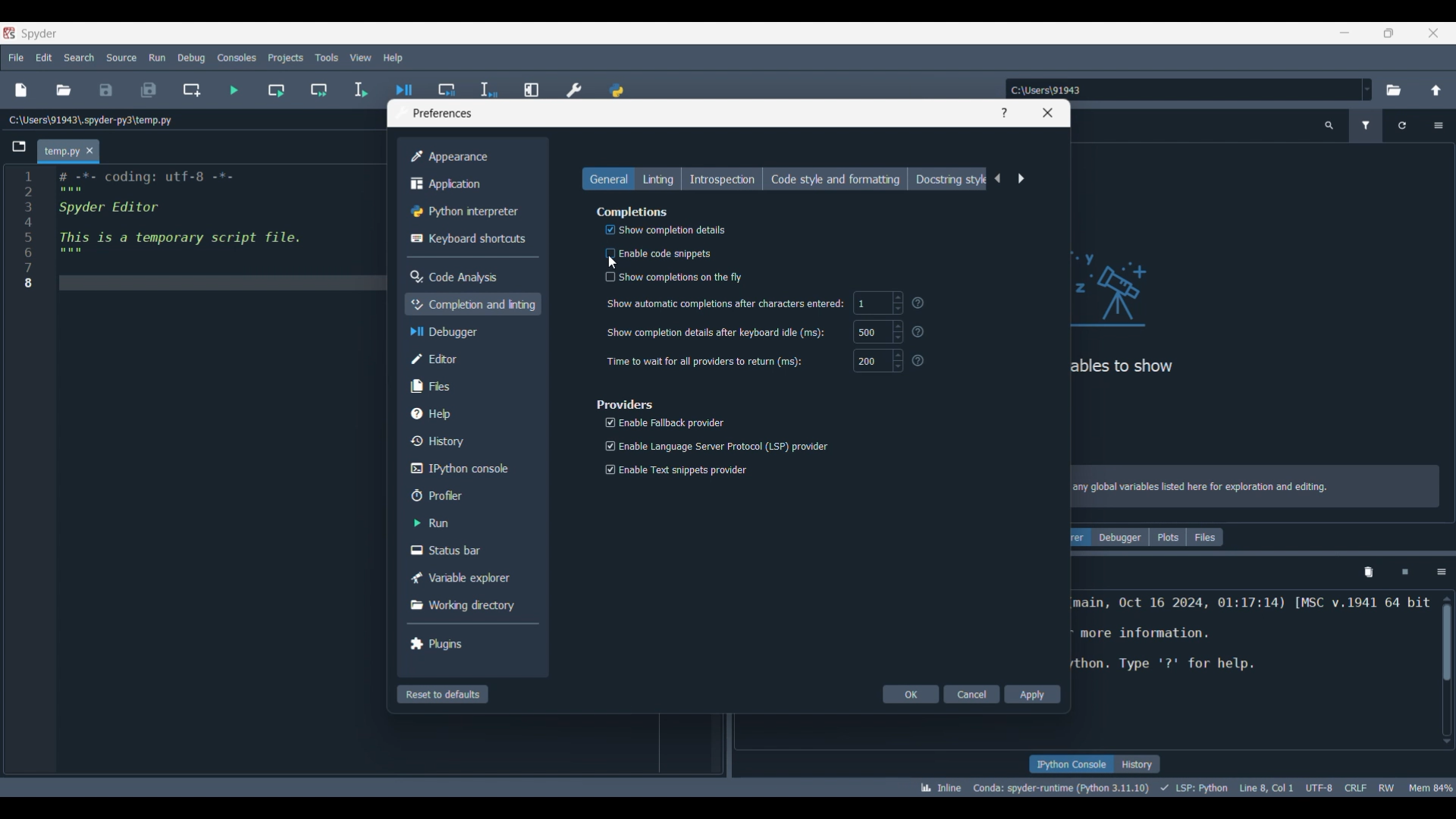  I want to click on Show completion details after keyboard idle (ms):, so click(716, 333).